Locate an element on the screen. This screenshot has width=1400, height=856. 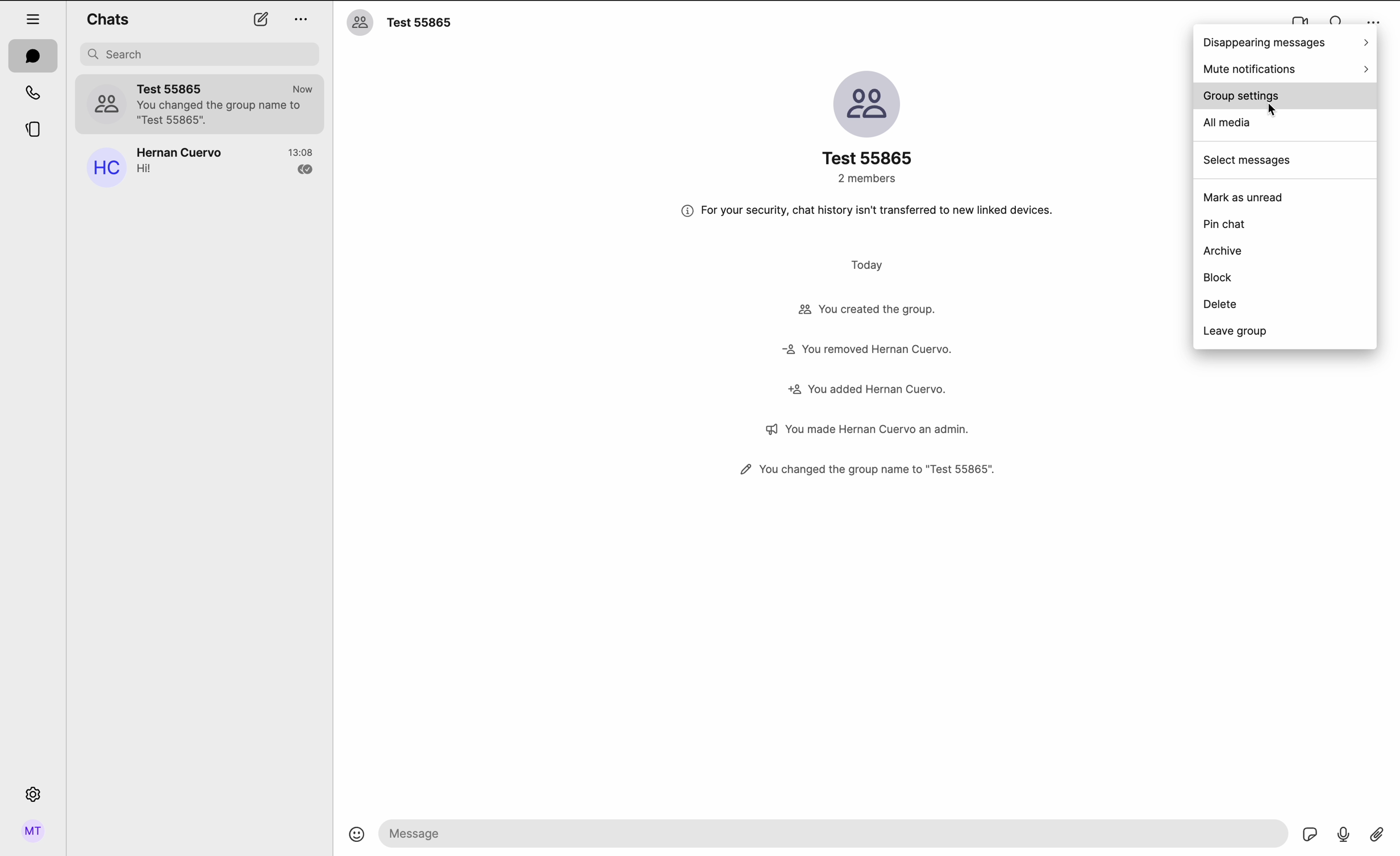
cursor is located at coordinates (1276, 111).